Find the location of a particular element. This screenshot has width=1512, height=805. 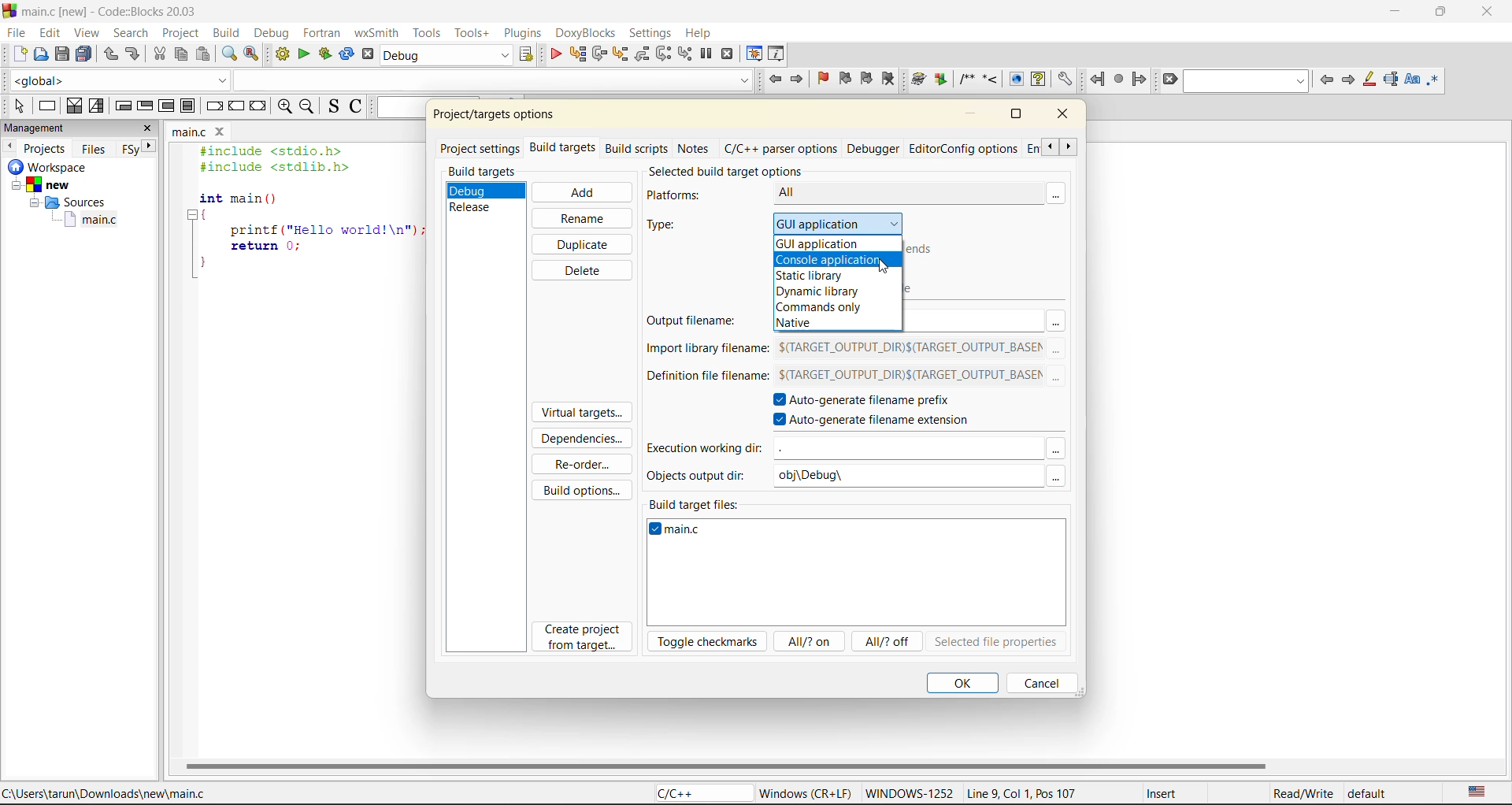

run to cursor is located at coordinates (579, 54).